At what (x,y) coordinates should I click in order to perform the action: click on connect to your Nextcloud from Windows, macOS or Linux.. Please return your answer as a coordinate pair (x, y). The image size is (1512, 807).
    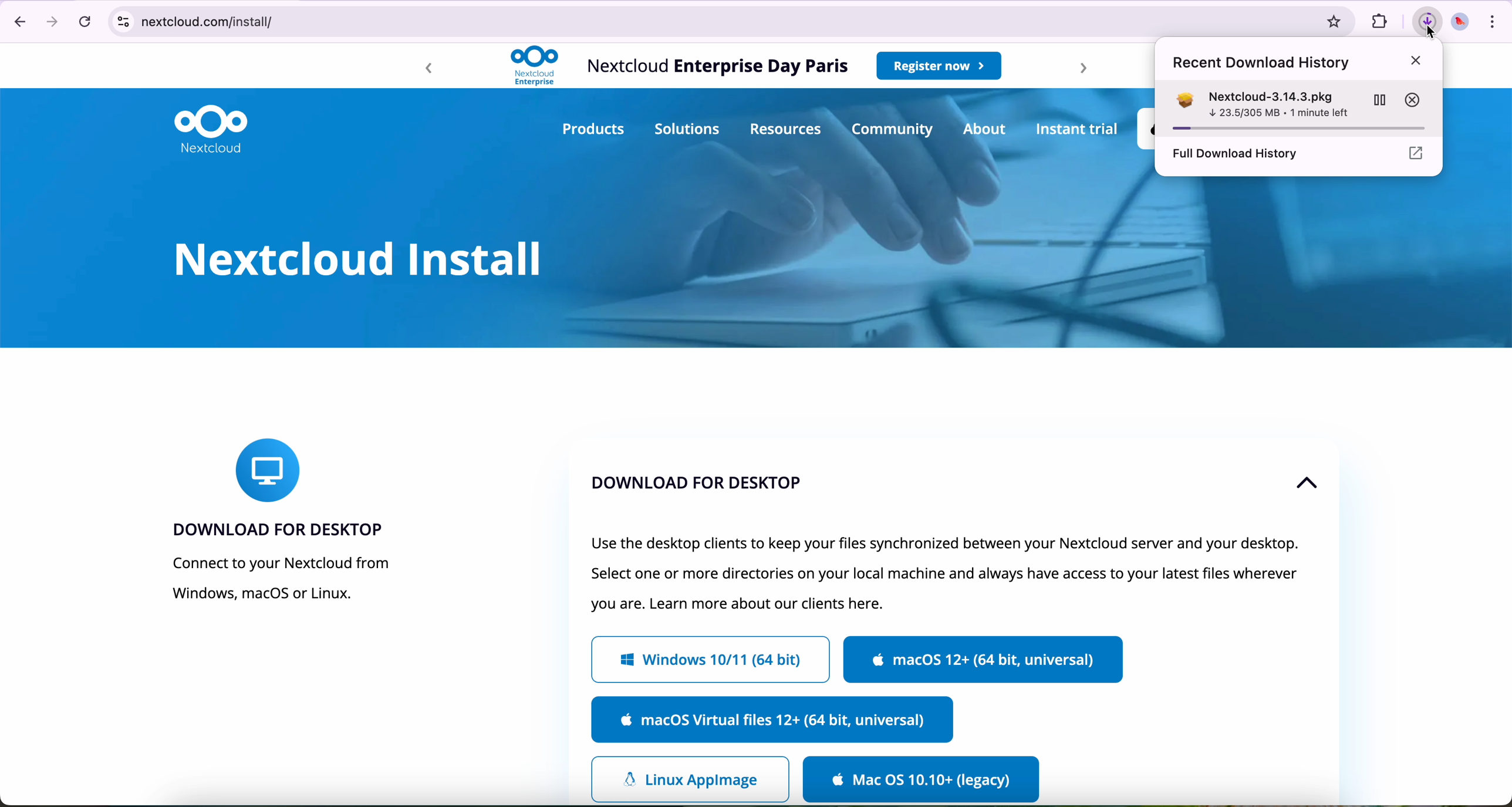
    Looking at the image, I should click on (278, 582).